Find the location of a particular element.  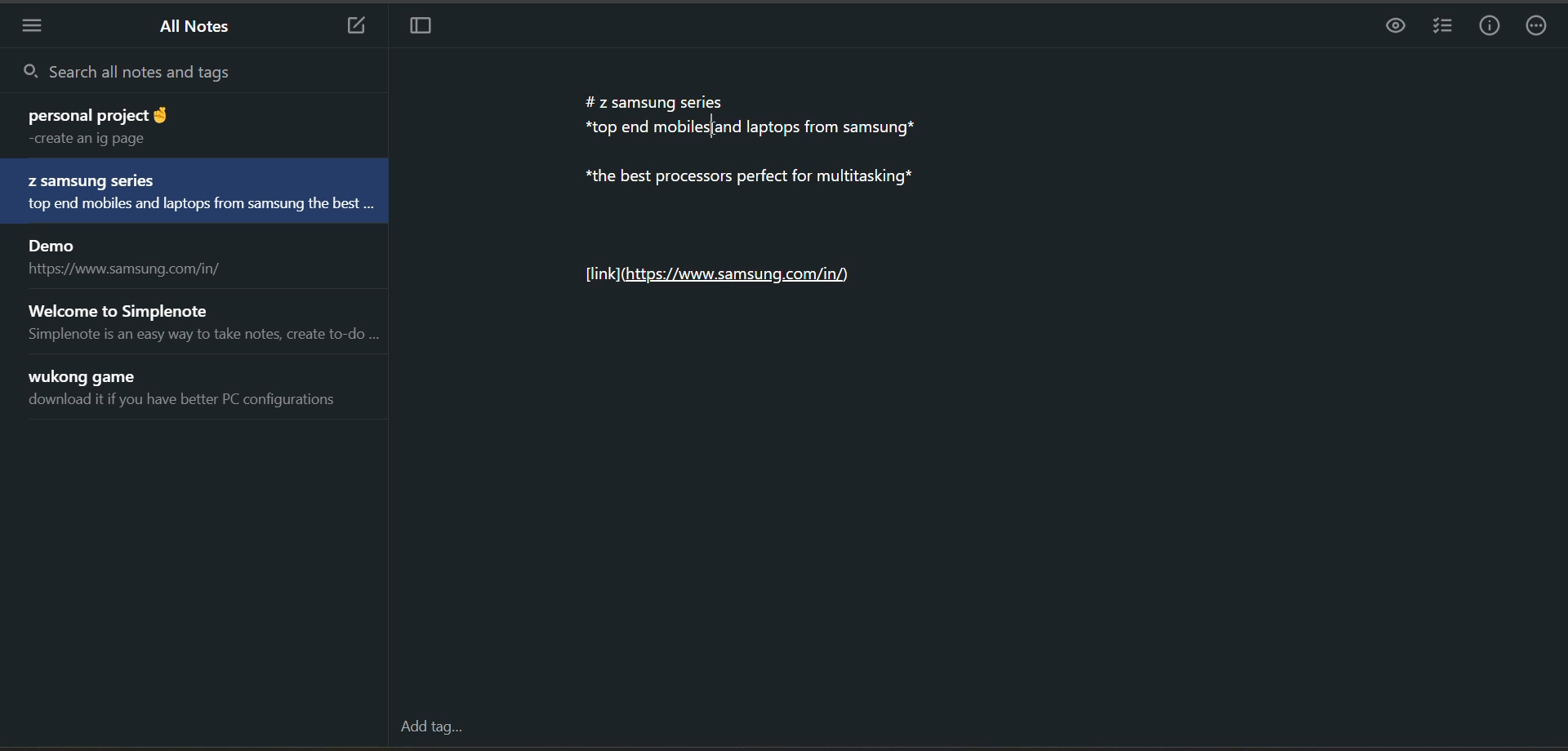

note title and preview is located at coordinates (191, 392).